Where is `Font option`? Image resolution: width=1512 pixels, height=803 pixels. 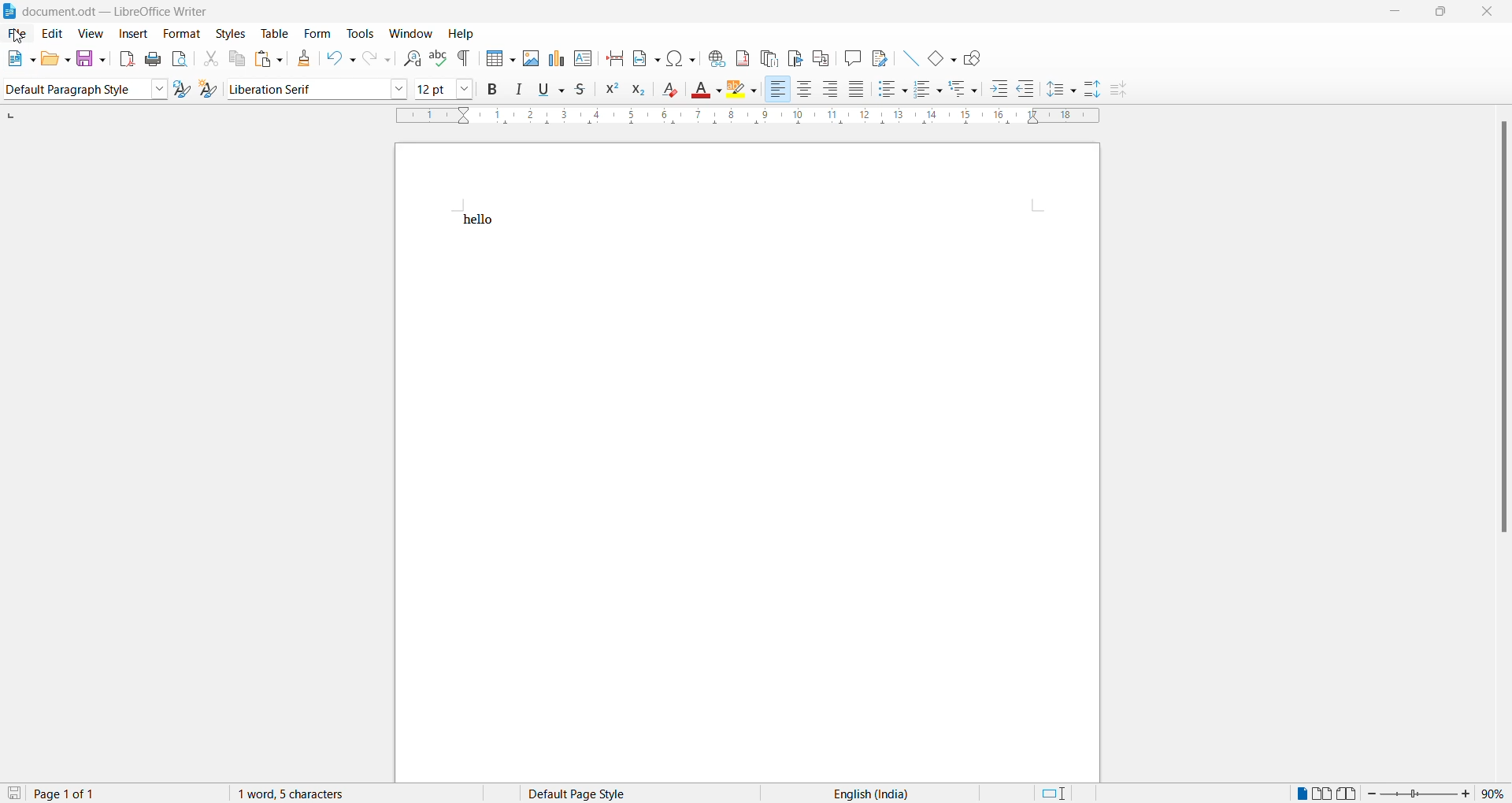 Font option is located at coordinates (399, 89).